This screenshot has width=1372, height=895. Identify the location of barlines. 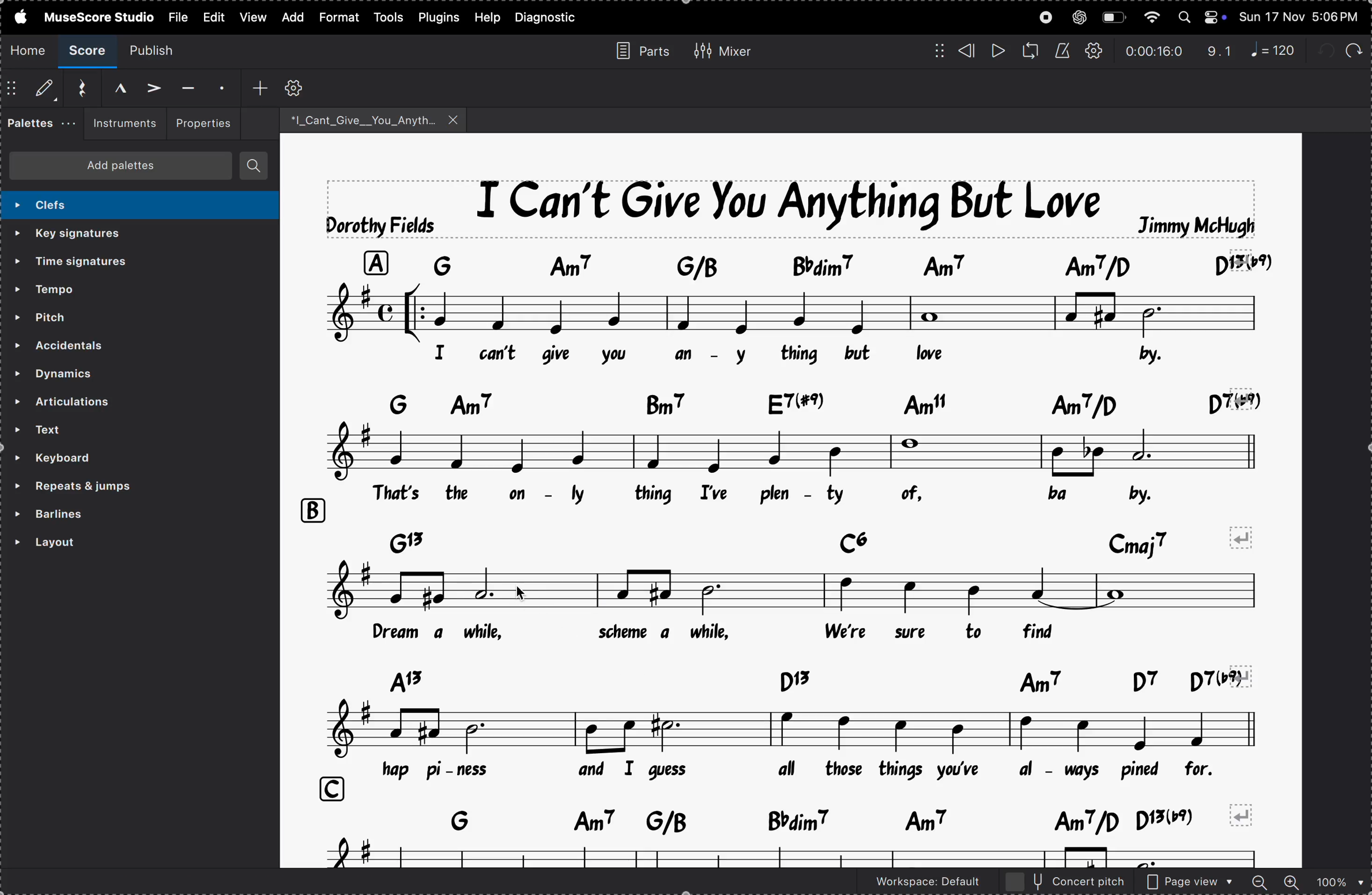
(101, 517).